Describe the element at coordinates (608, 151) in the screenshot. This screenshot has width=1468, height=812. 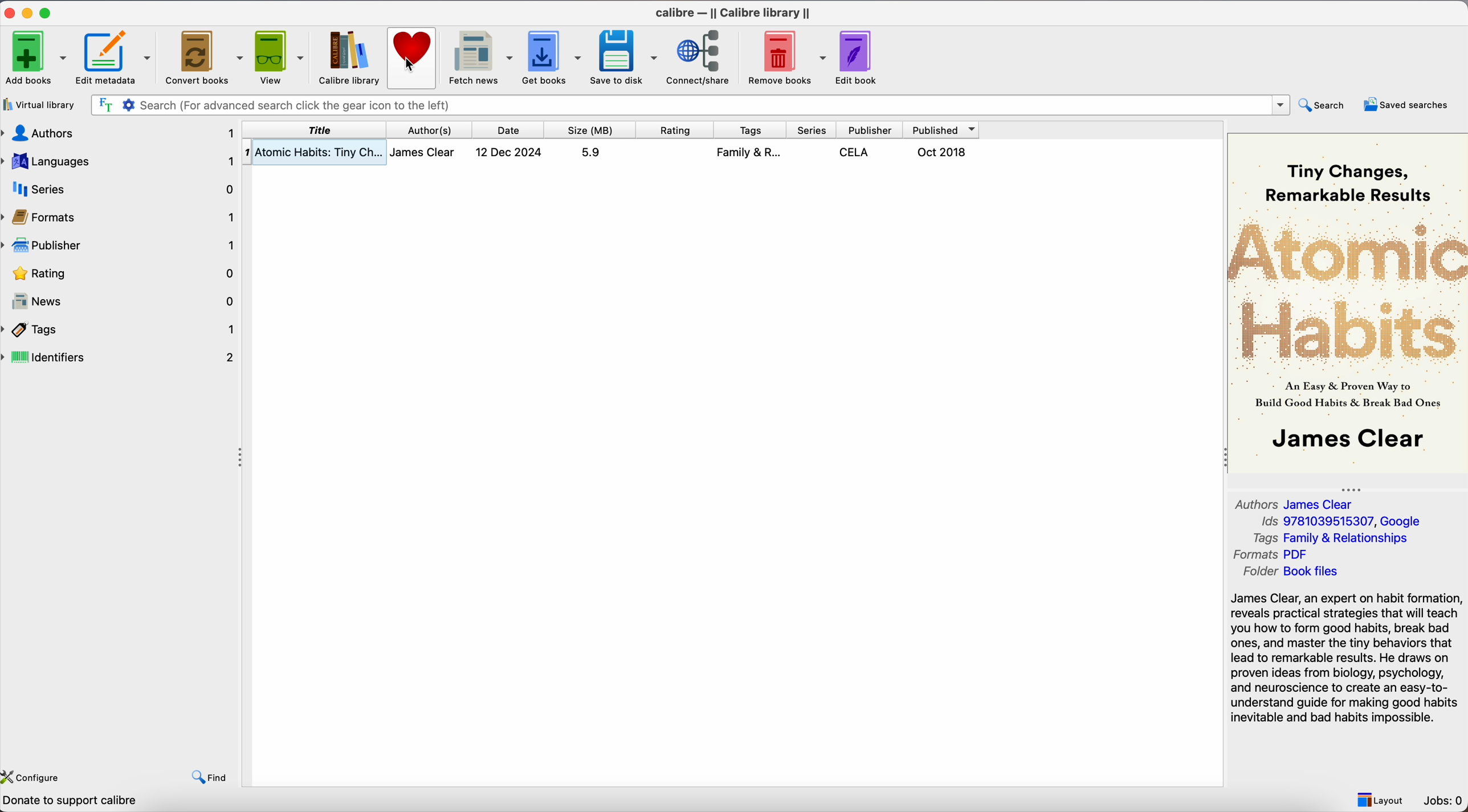
I see `Atomic Habits: Tiny Changes` at that location.